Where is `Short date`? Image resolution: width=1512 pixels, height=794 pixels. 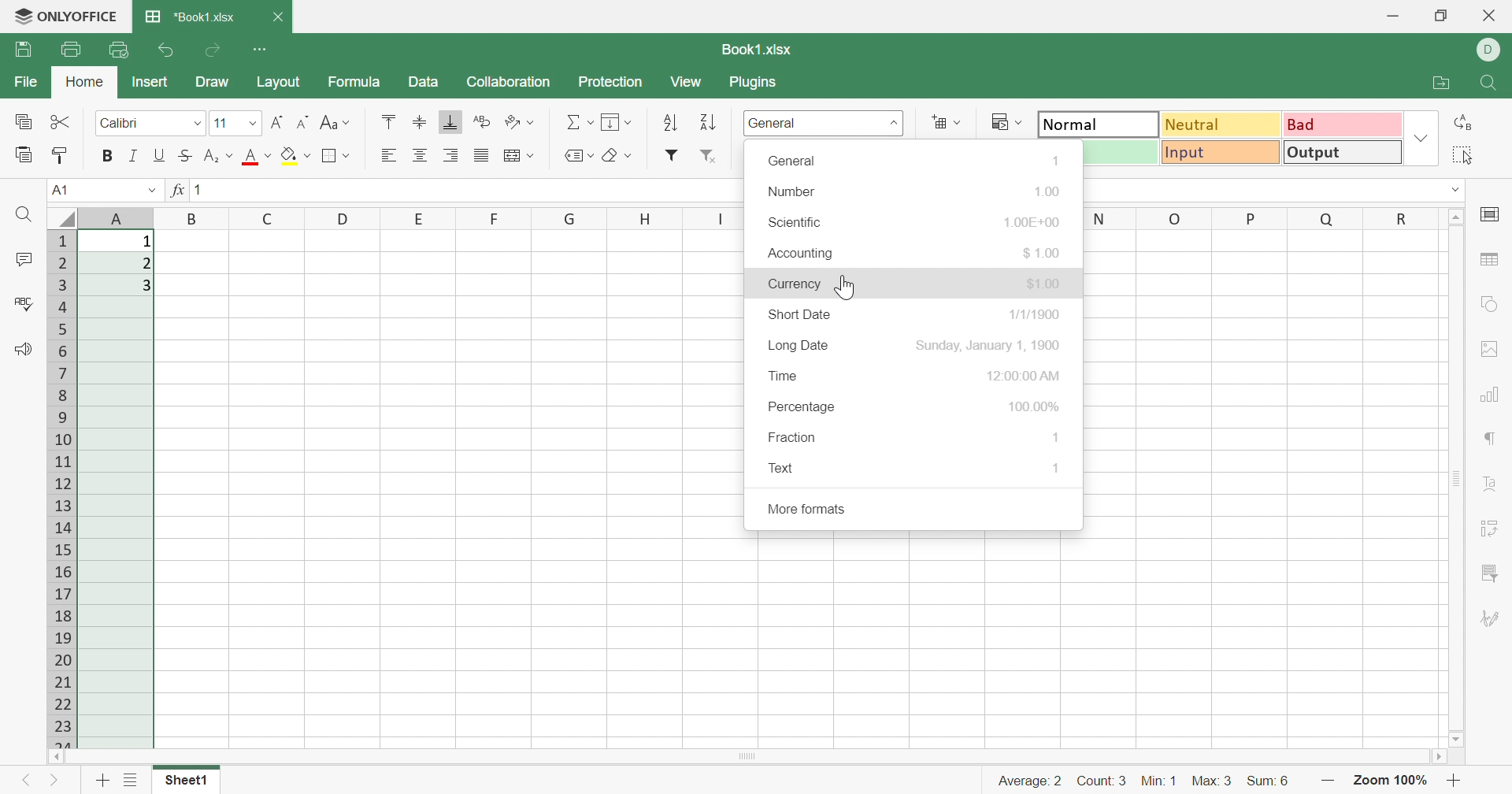 Short date is located at coordinates (801, 317).